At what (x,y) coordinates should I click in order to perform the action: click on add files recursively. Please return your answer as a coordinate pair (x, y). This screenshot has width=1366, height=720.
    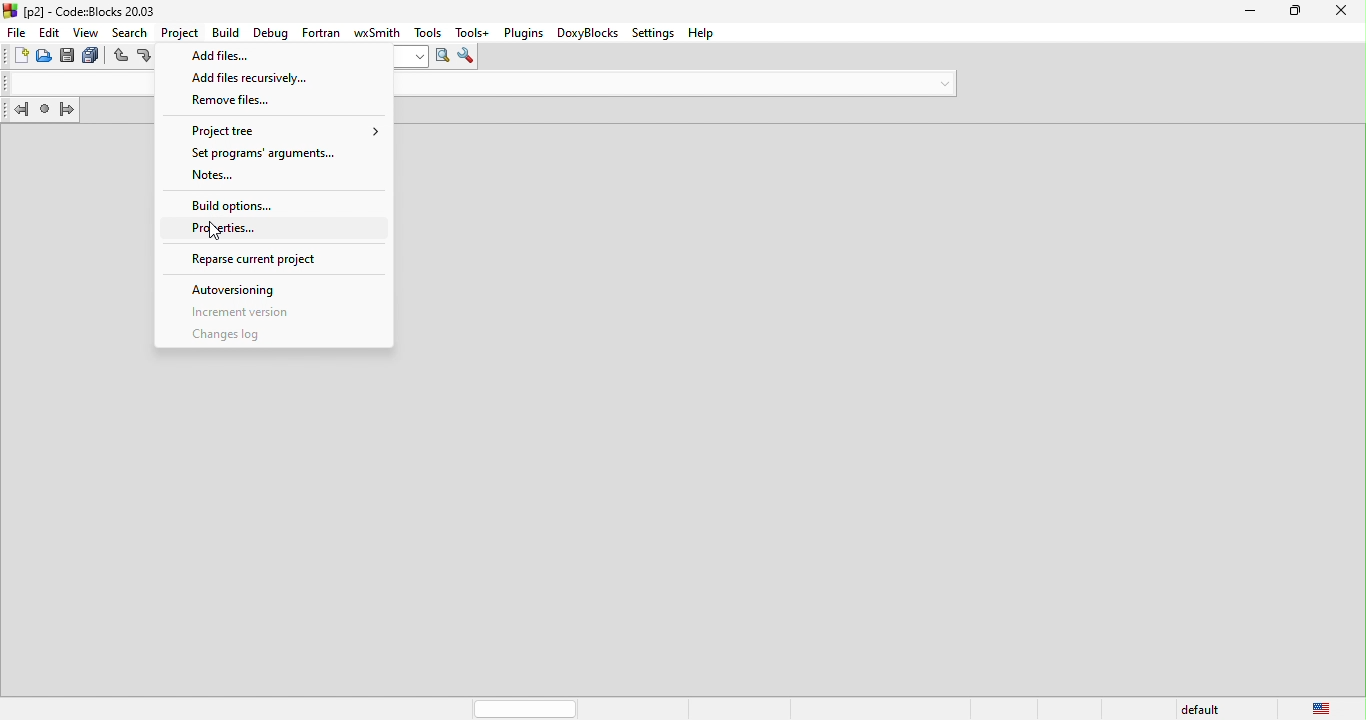
    Looking at the image, I should click on (276, 78).